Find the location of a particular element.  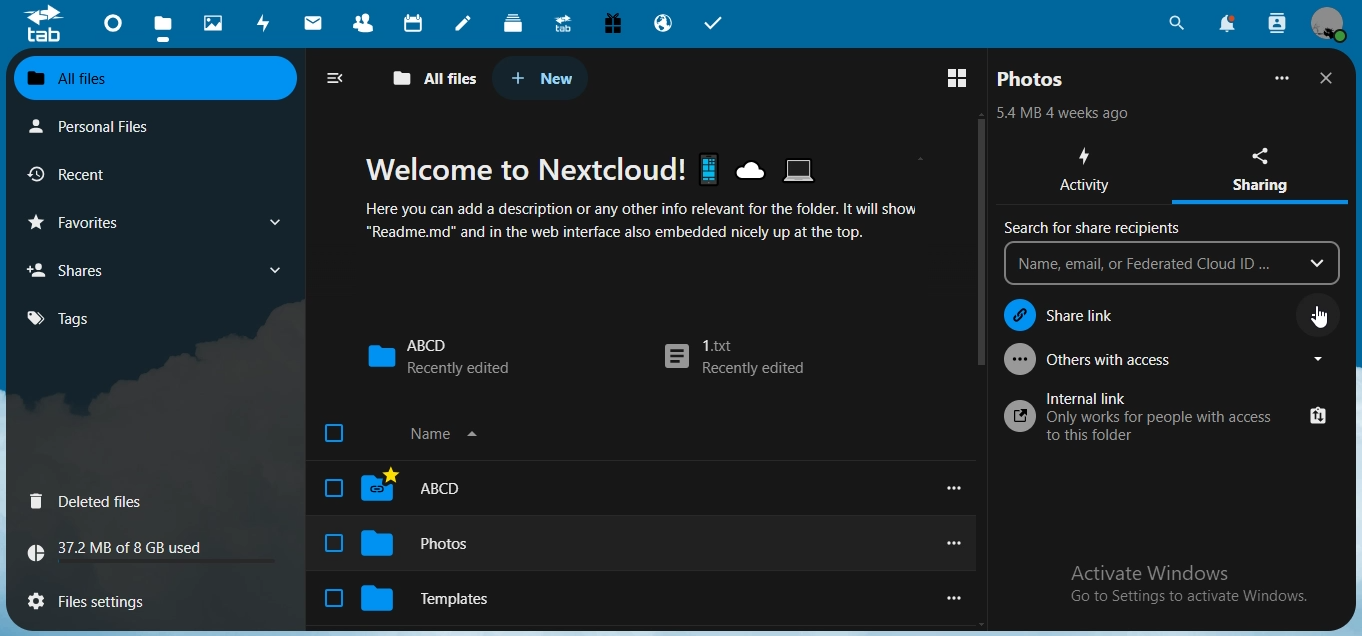

view options is located at coordinates (957, 597).